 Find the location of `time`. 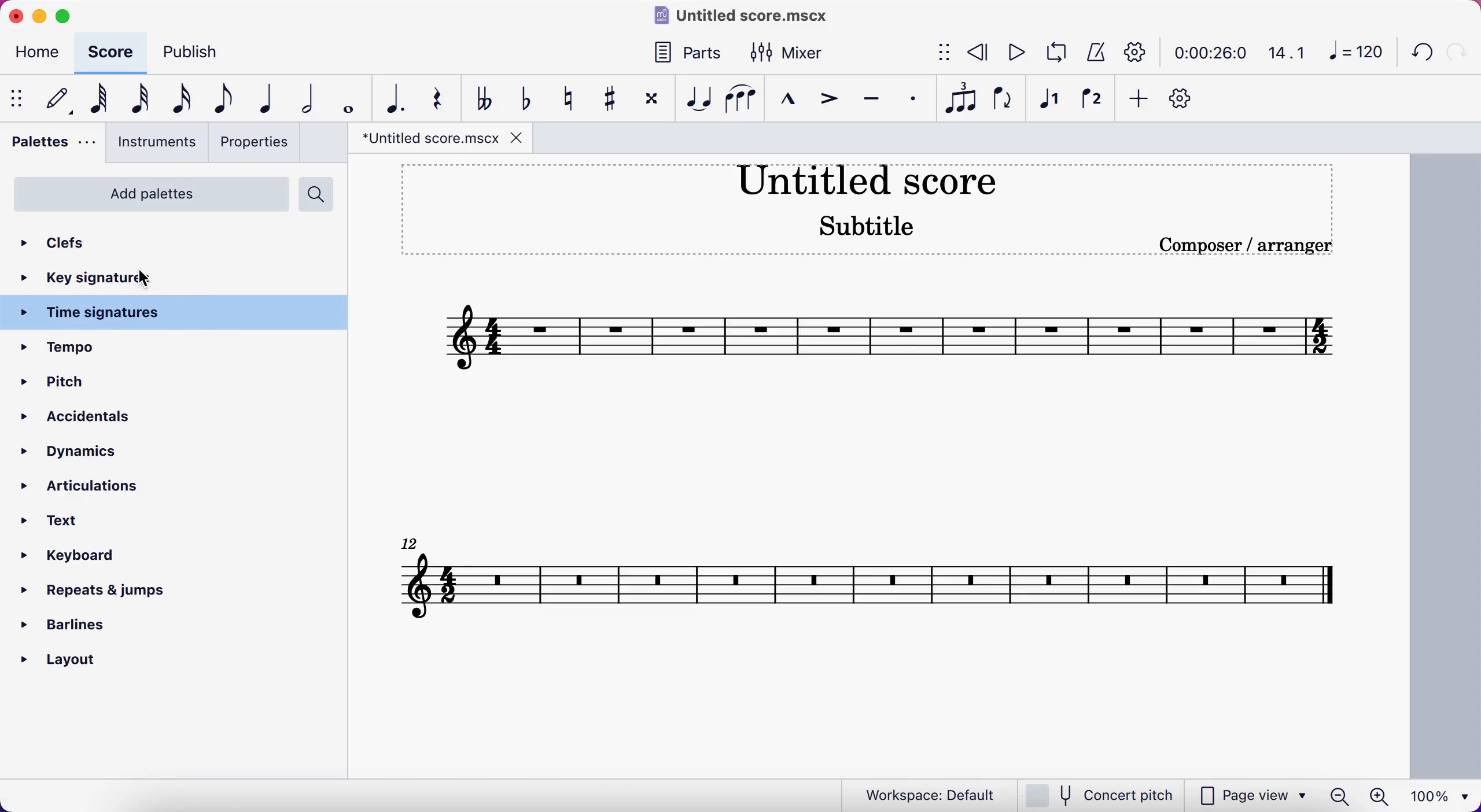

time is located at coordinates (1206, 53).